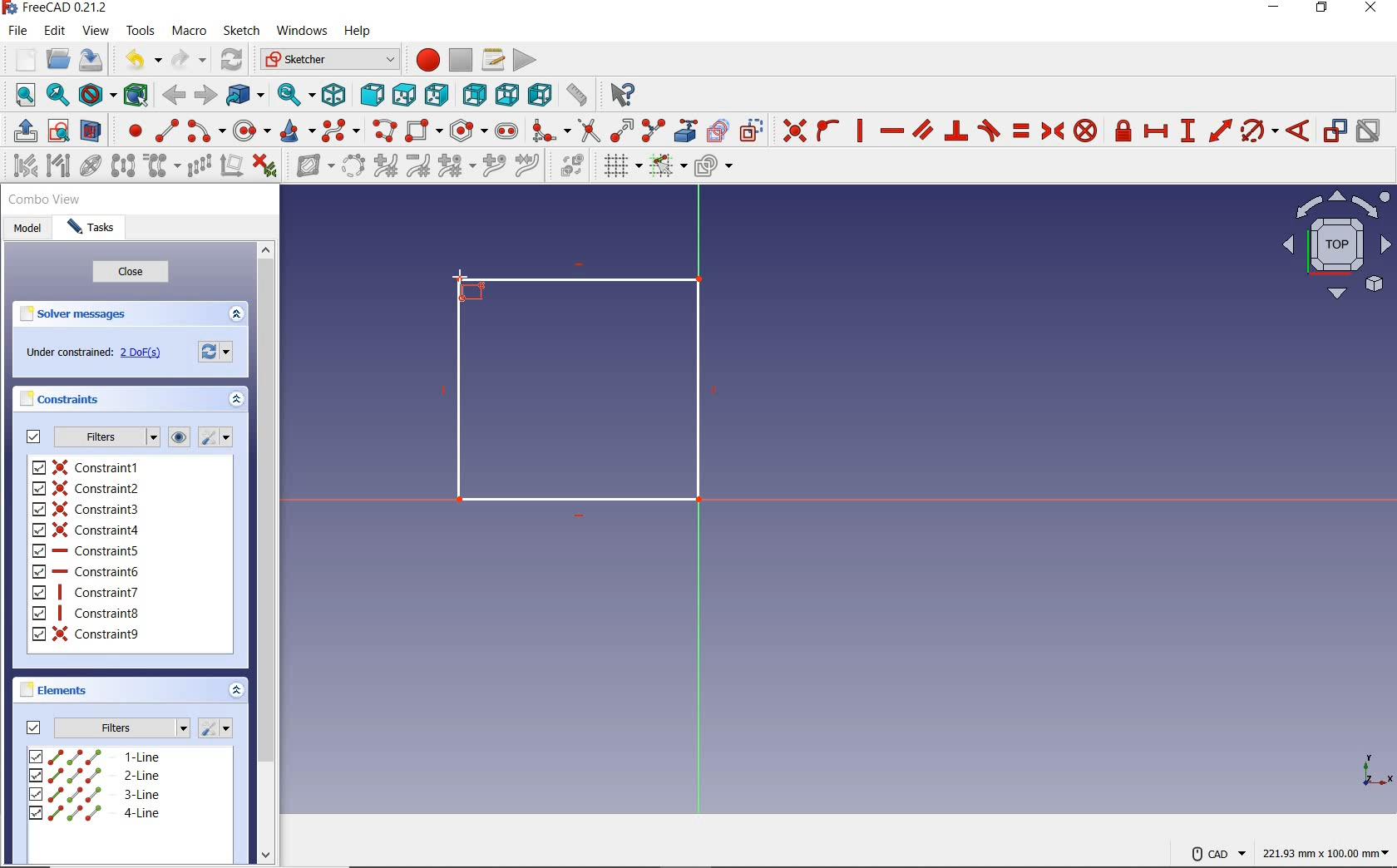  Describe the element at coordinates (57, 96) in the screenshot. I see `fit selection` at that location.